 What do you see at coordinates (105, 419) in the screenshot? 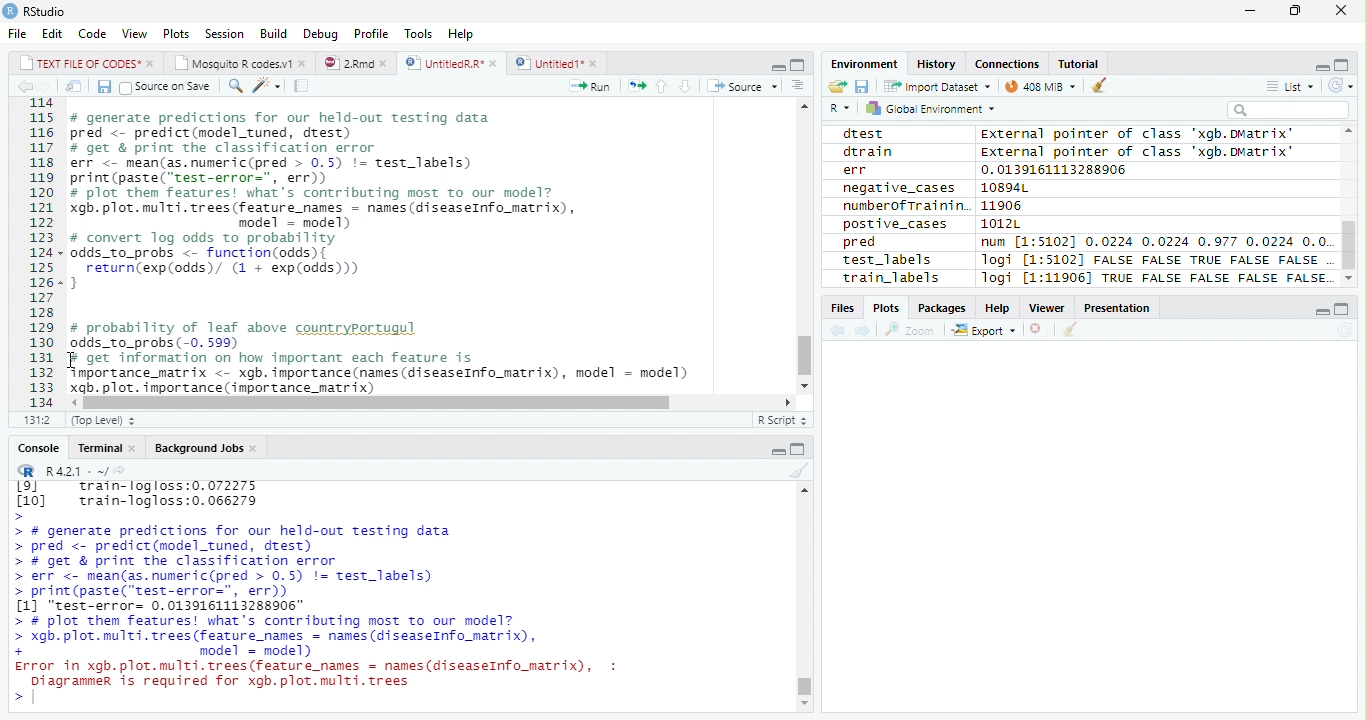
I see `Top Level` at bounding box center [105, 419].